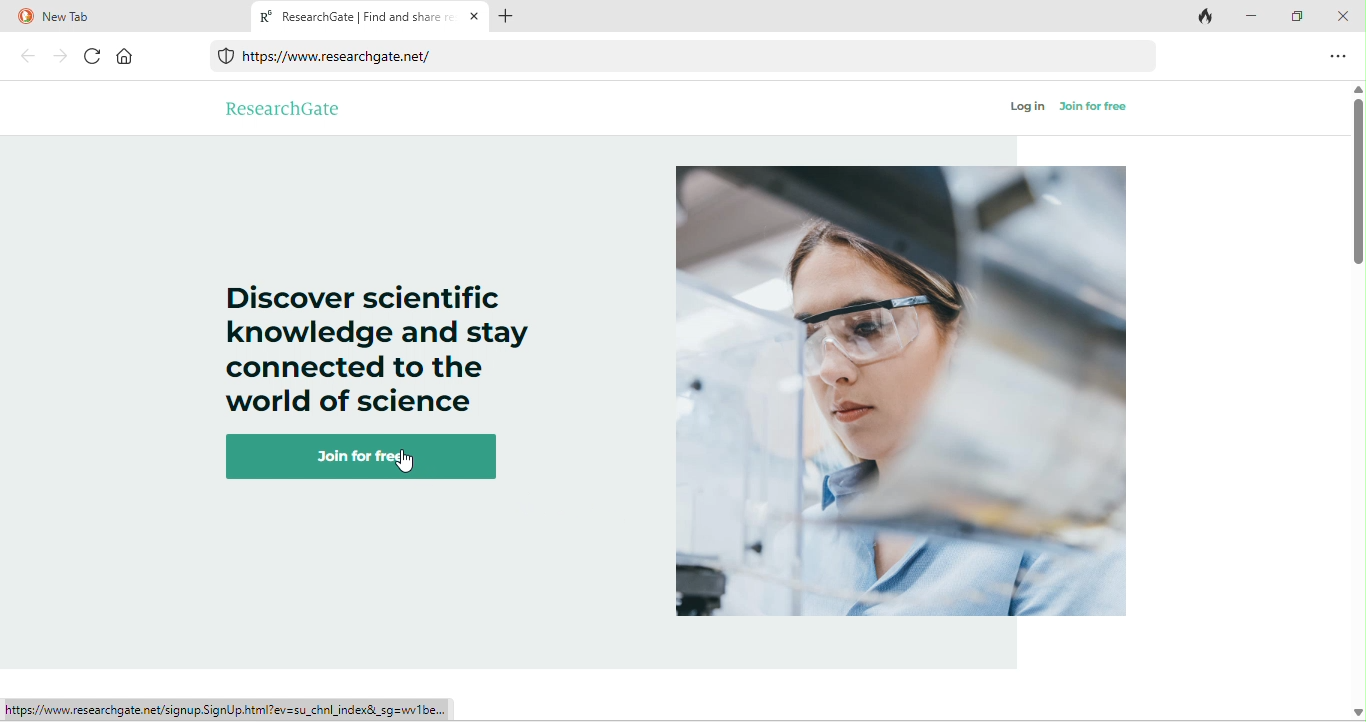 This screenshot has height=722, width=1366. I want to click on track tab, so click(1207, 18).